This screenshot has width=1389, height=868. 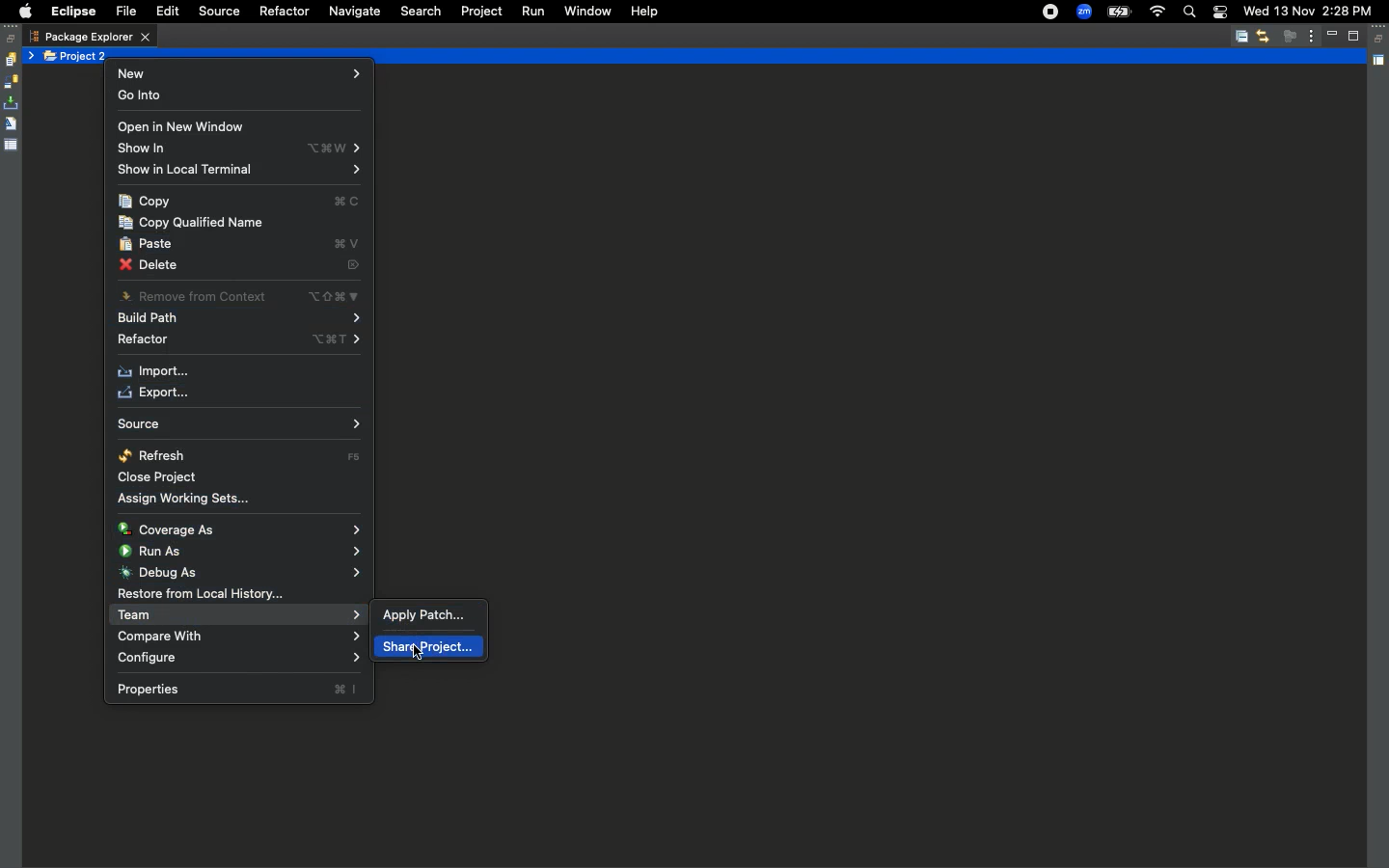 What do you see at coordinates (216, 12) in the screenshot?
I see `Source` at bounding box center [216, 12].